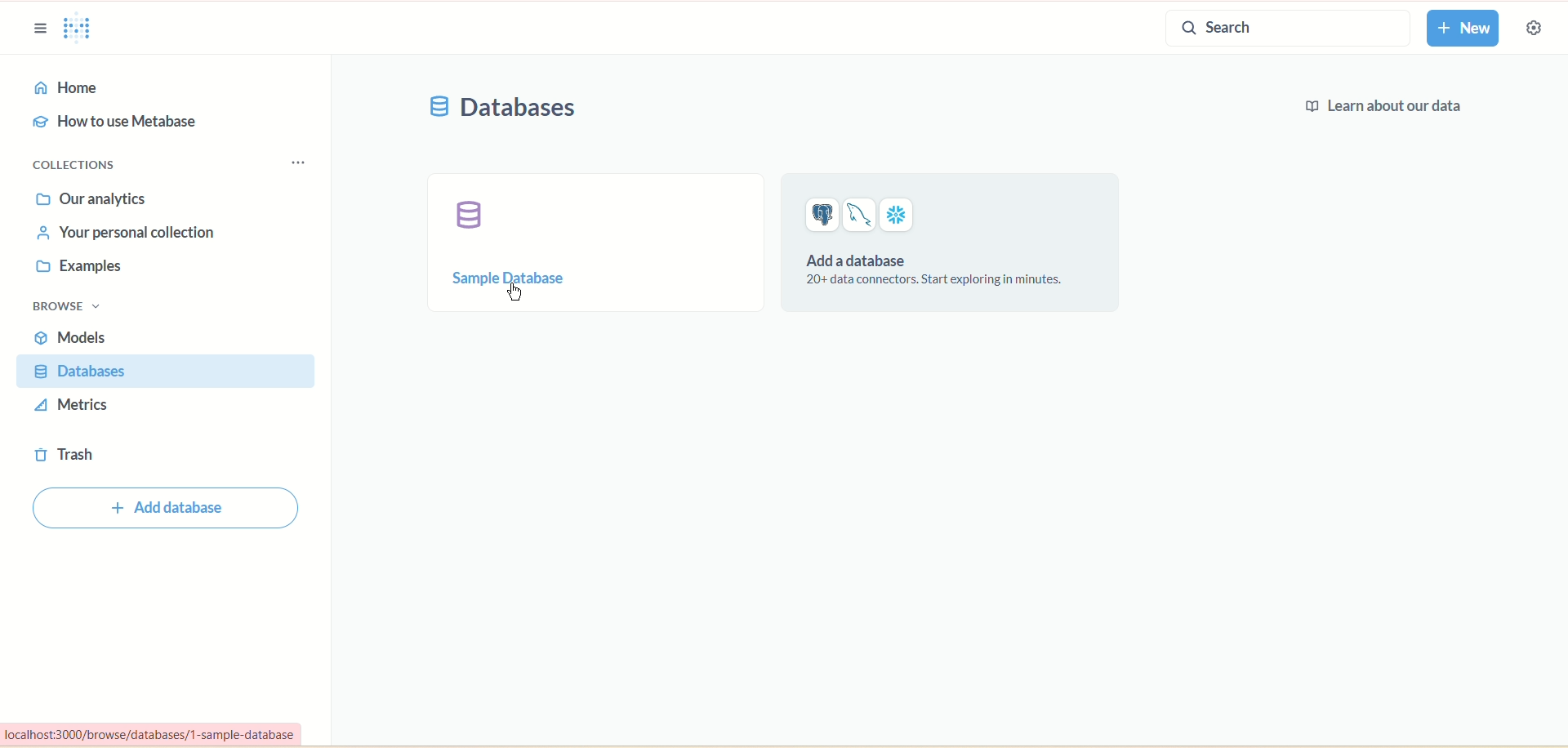 The width and height of the screenshot is (1568, 748). I want to click on add a database, so click(956, 243).